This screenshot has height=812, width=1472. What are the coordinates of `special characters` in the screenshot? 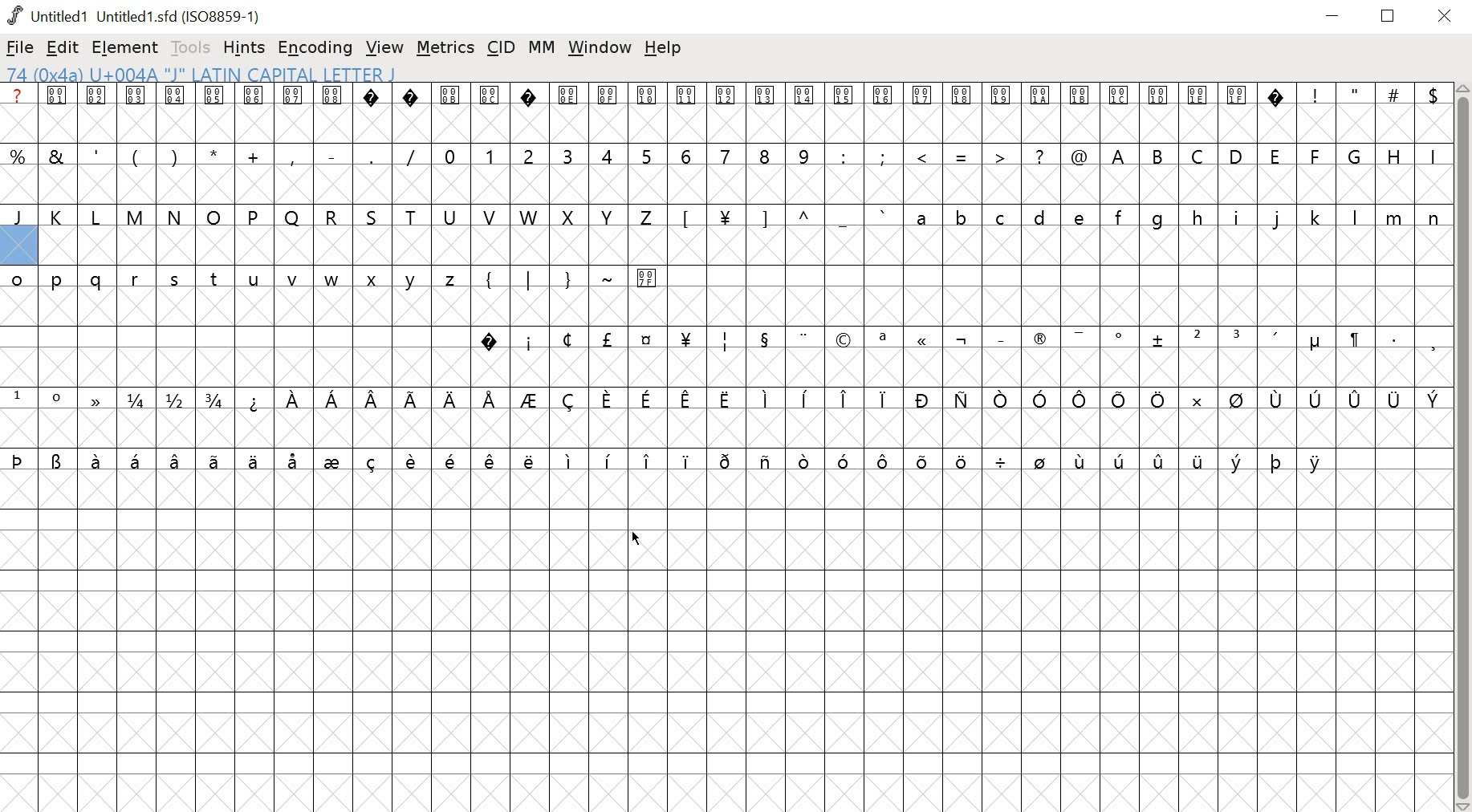 It's located at (215, 155).